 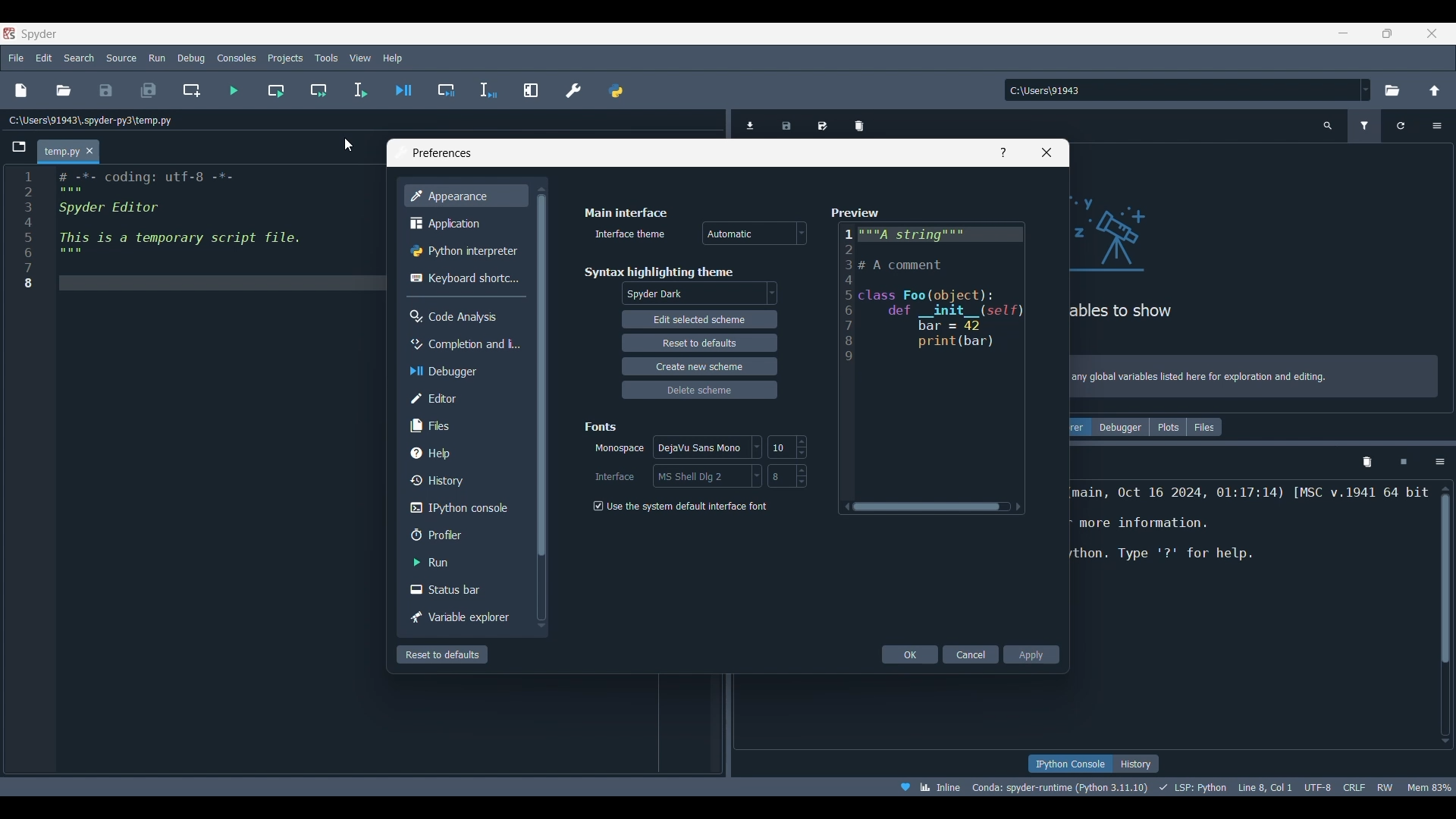 What do you see at coordinates (1430, 787) in the screenshot?
I see `mem 84%` at bounding box center [1430, 787].